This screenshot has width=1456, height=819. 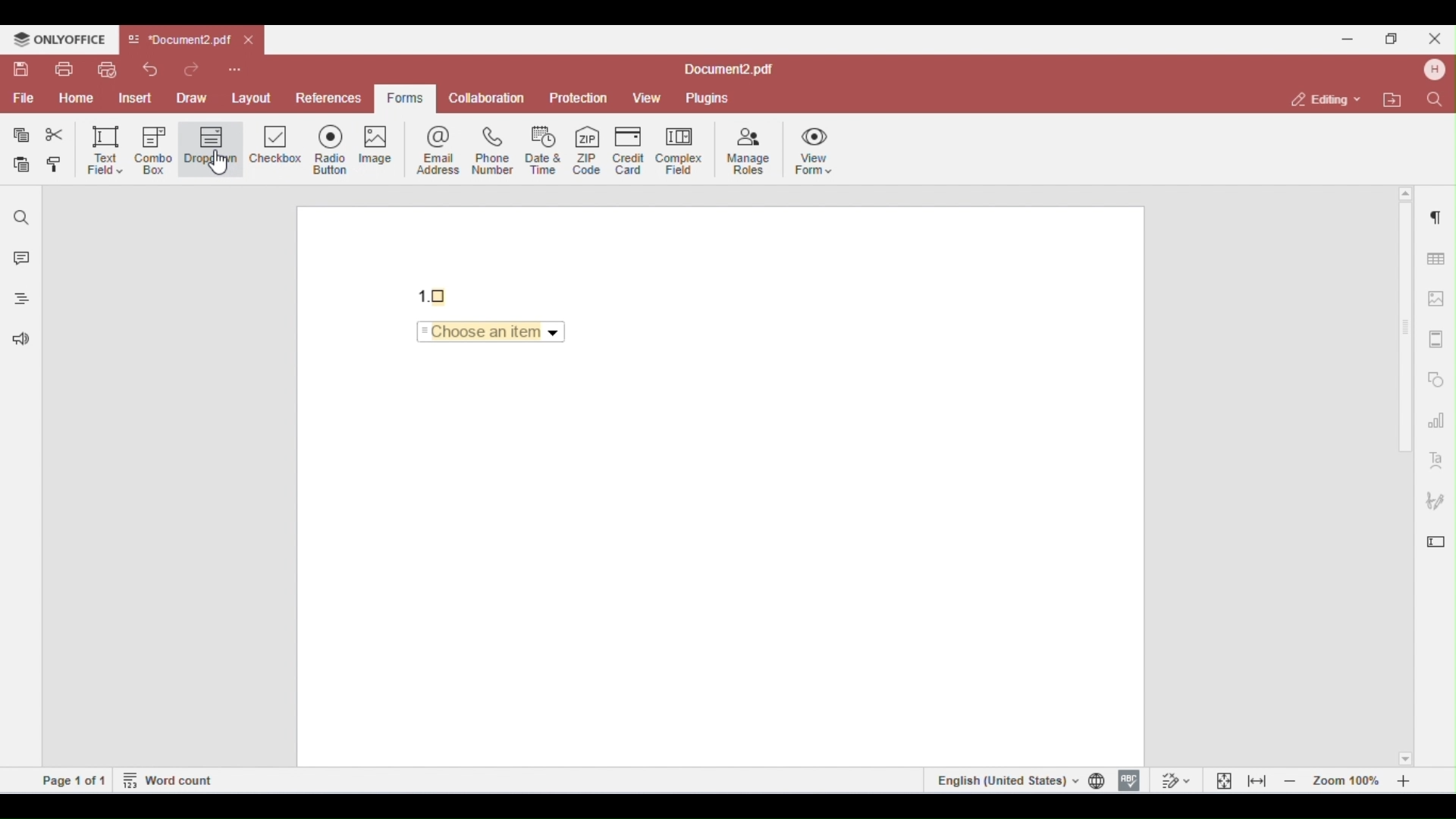 I want to click on headings, so click(x=17, y=301).